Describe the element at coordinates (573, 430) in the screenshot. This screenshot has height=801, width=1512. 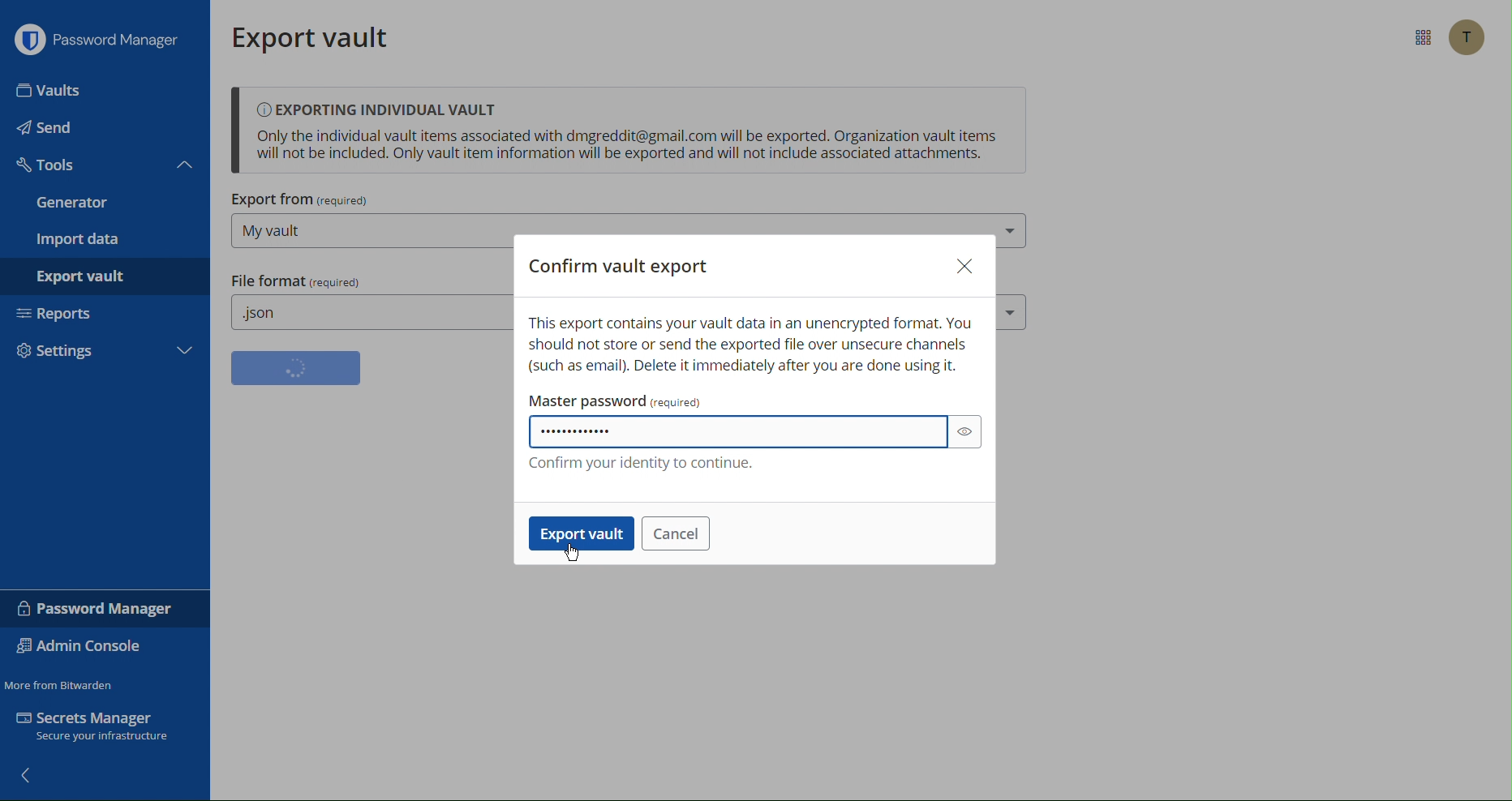
I see `Password` at that location.